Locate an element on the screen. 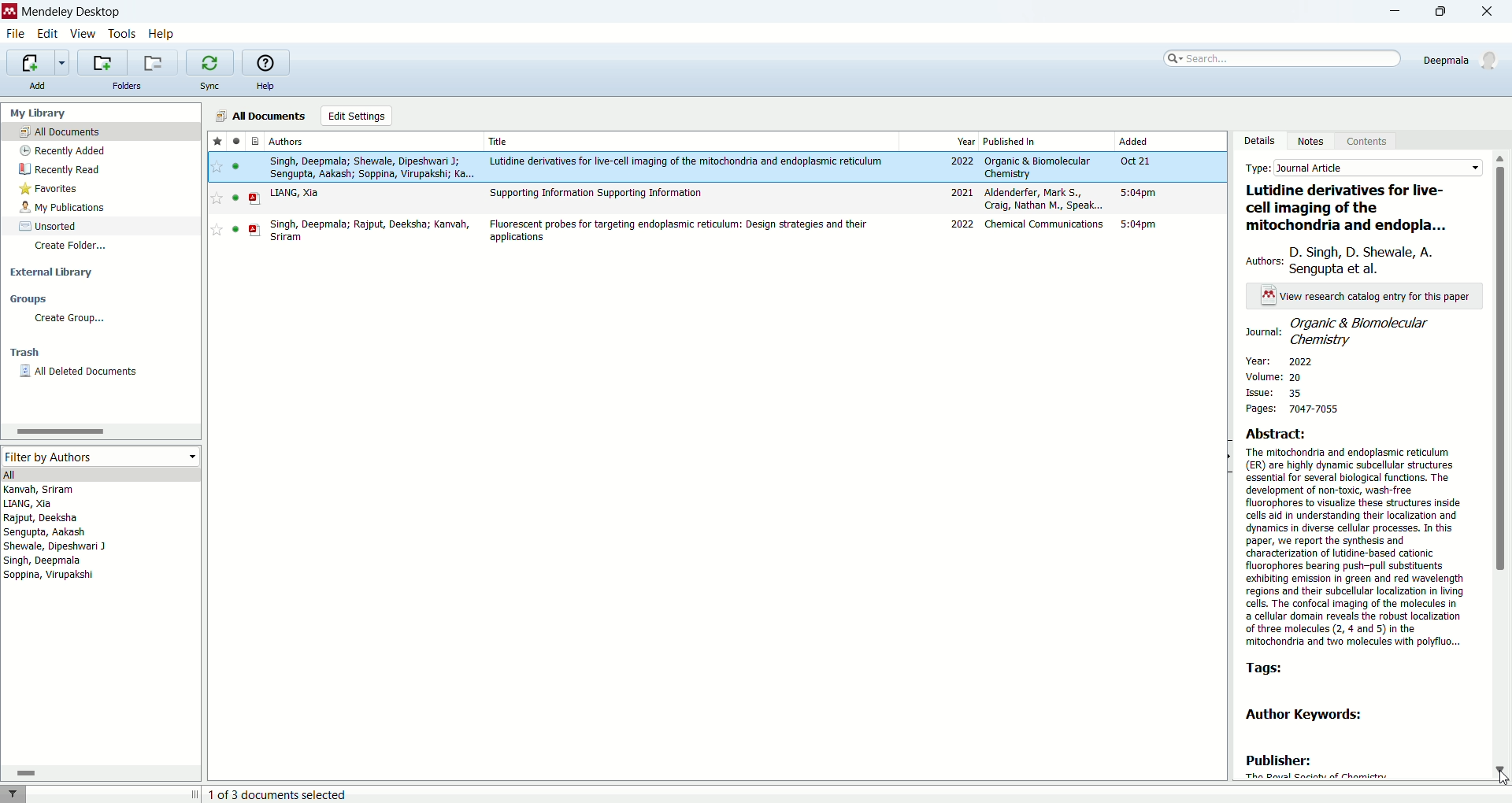  Abstract:The mitochondria and endoplasmic reticulum(ER) are highly dynamic subcellular structures essential for several biological functions. The development of non-toxic, wash-free fluorophores to visualize these structures inside cells aid in understanding their localization and dynamics in diverse cellular processes. In this paper, we report the synthesis and characterization of lutidine-based cationic fluorophores bearing push-pull substituents exhibiting emission in green and red wavelength regions and their subcellular localization in living cells. The confocal imaging of the molecules in a cellular domain reveals the robust localization of three molecules (2, 4 and 5) in the mitochondria and two molecules with polyfluo is located at coordinates (1358, 538).